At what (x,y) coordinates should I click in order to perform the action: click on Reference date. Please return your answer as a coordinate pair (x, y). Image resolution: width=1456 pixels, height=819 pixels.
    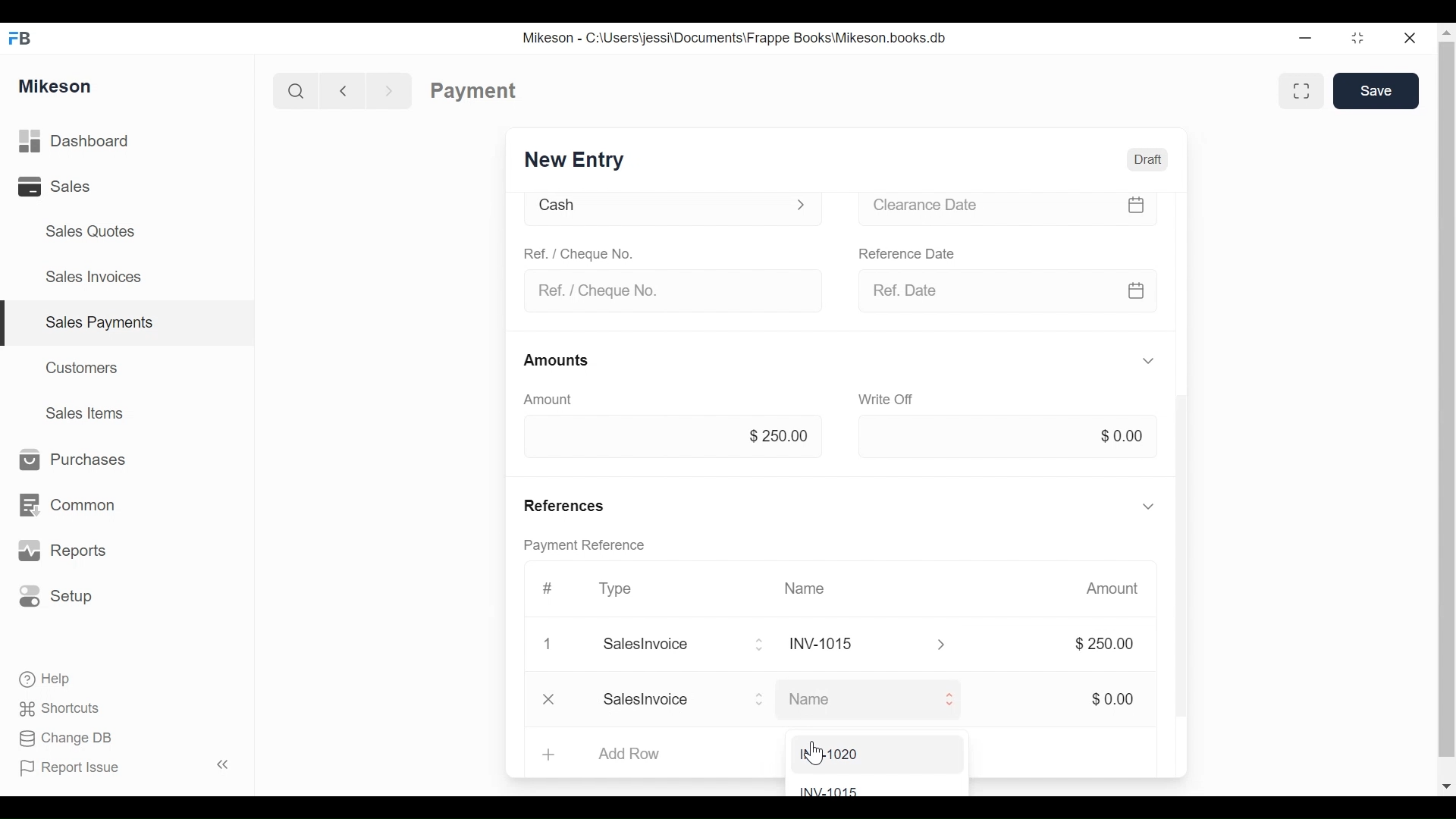
    Looking at the image, I should click on (918, 253).